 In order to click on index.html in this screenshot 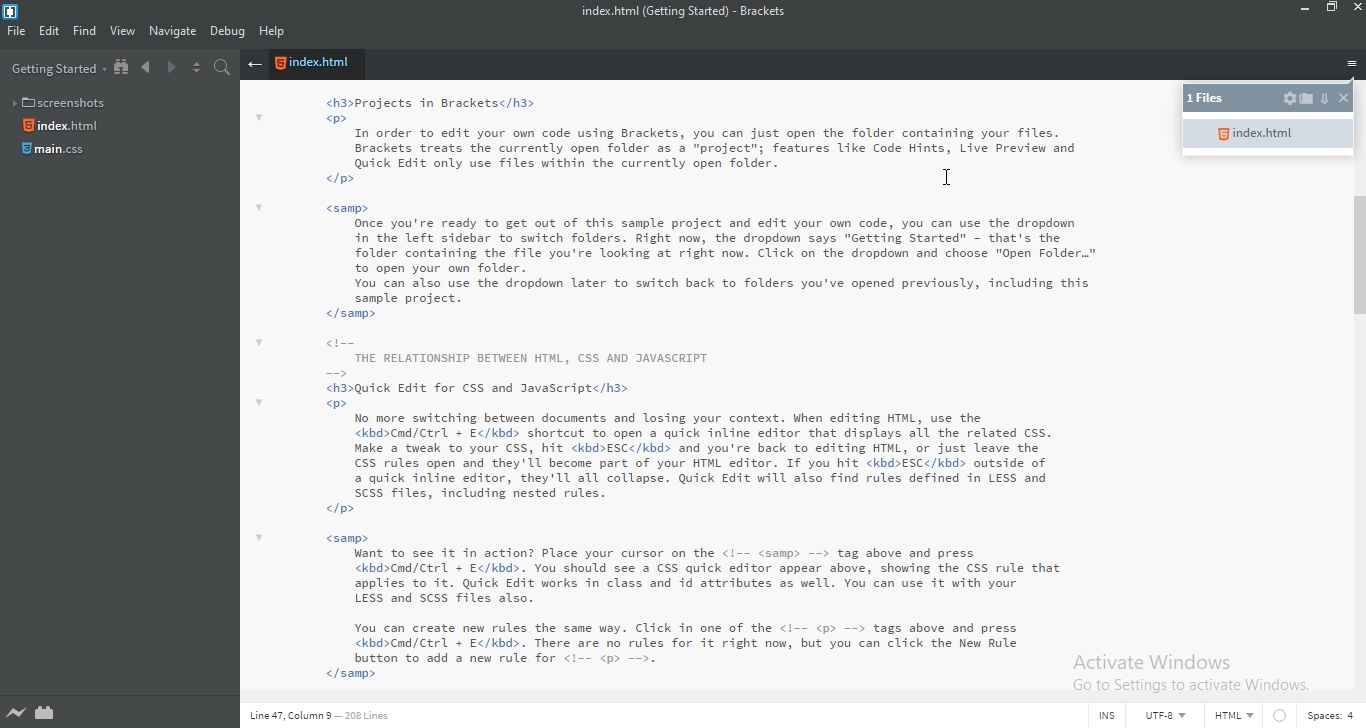, I will do `click(1273, 133)`.